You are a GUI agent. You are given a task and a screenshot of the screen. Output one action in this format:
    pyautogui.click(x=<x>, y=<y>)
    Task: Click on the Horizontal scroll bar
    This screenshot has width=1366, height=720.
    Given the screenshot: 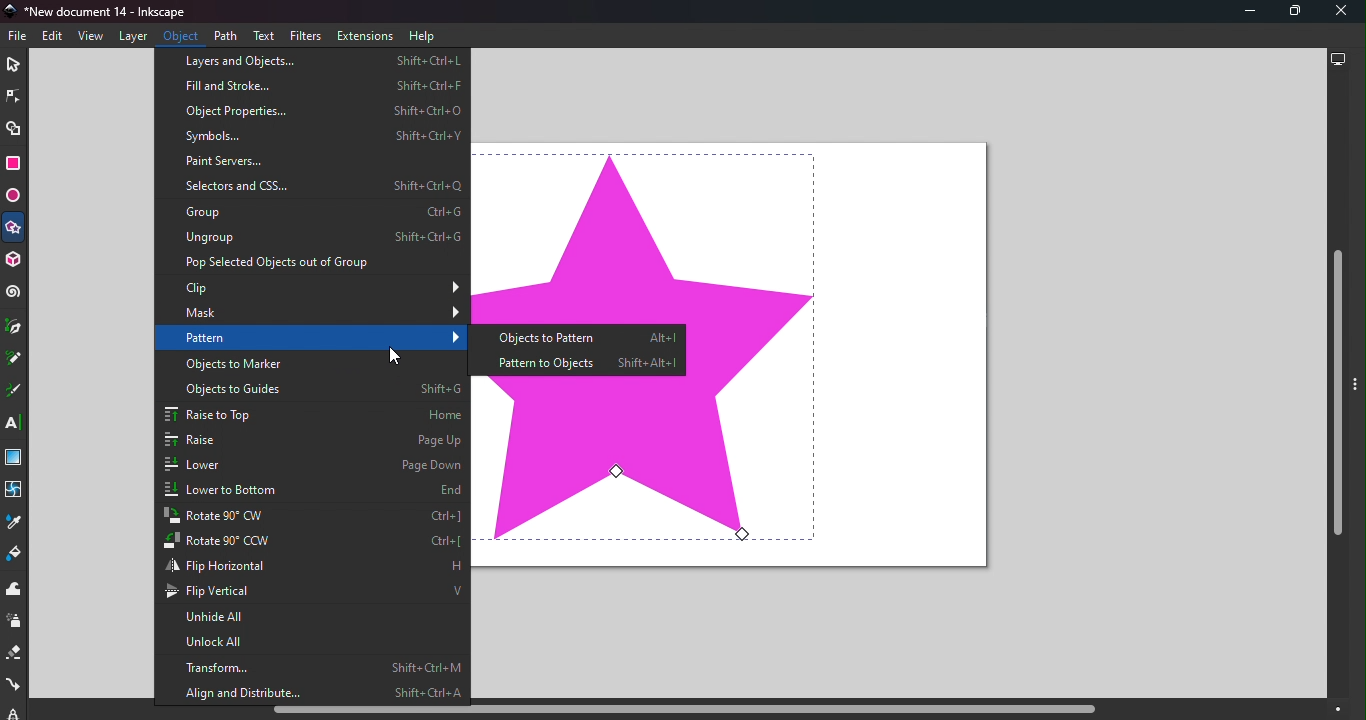 What is the action you would take?
    pyautogui.click(x=676, y=710)
    